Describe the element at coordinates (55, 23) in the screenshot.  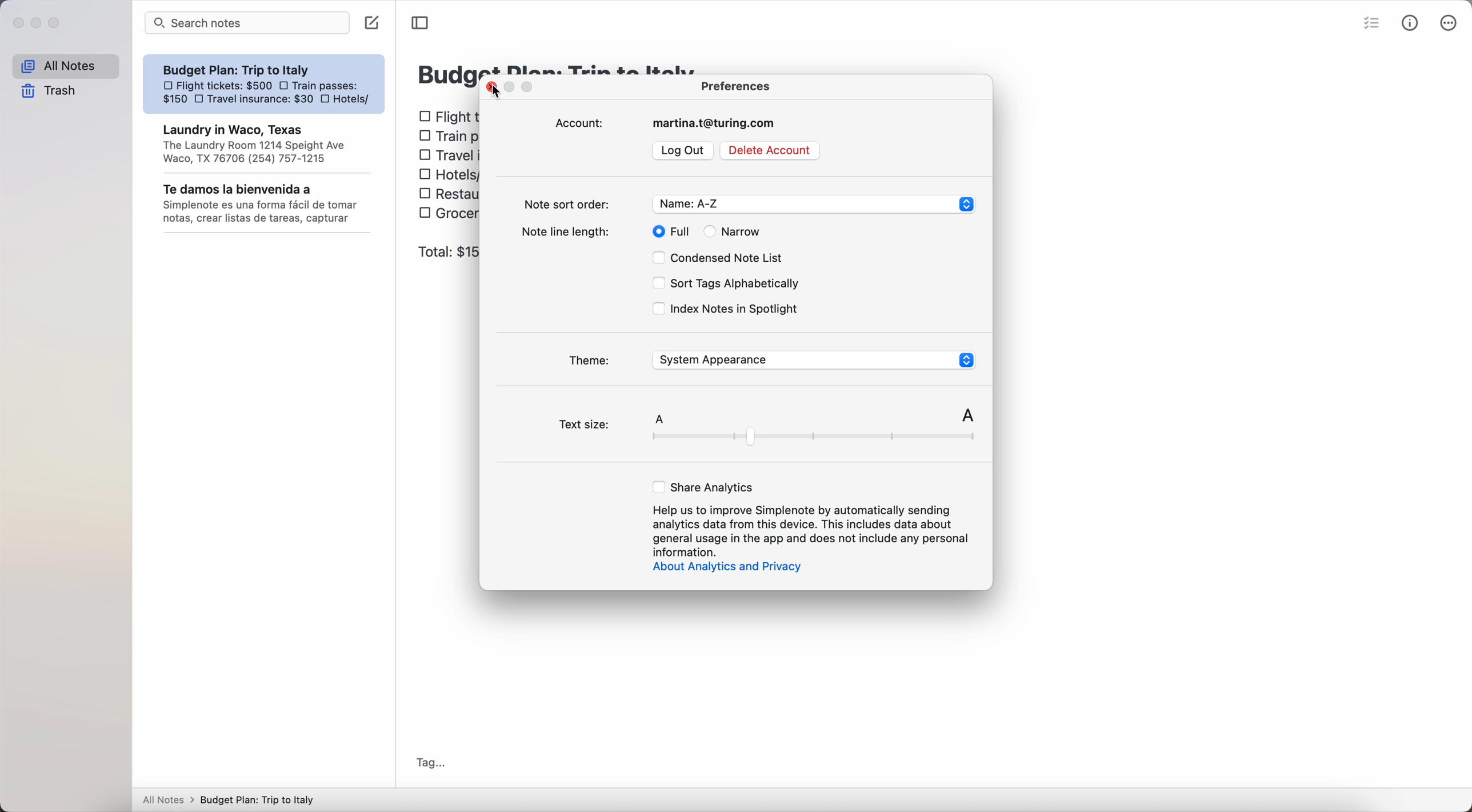
I see `maximize Simplenote` at that location.